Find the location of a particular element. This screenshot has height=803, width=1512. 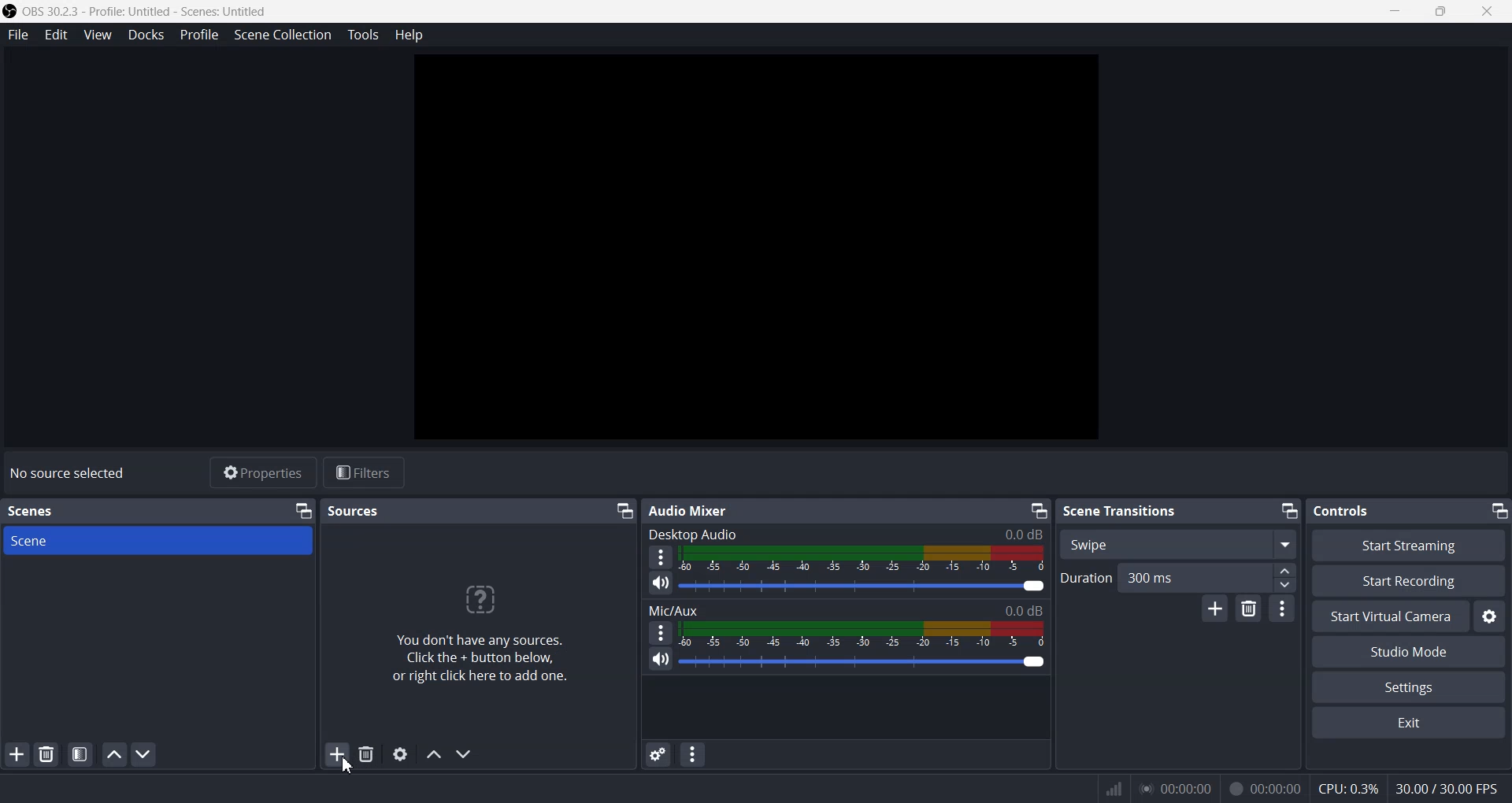

Remove selected Sources is located at coordinates (368, 753).